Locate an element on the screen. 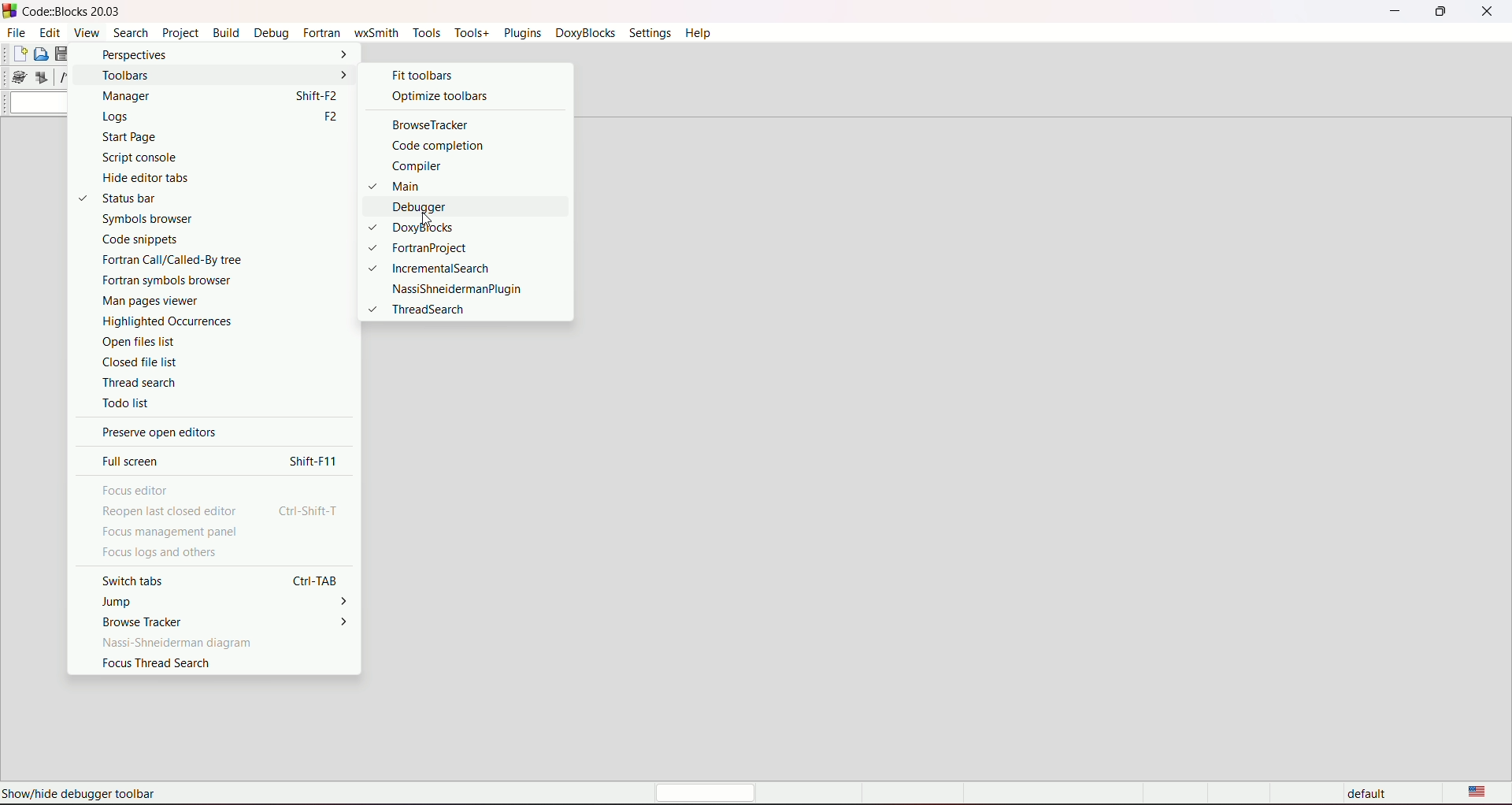 The image size is (1512, 805). close is located at coordinates (1488, 12).